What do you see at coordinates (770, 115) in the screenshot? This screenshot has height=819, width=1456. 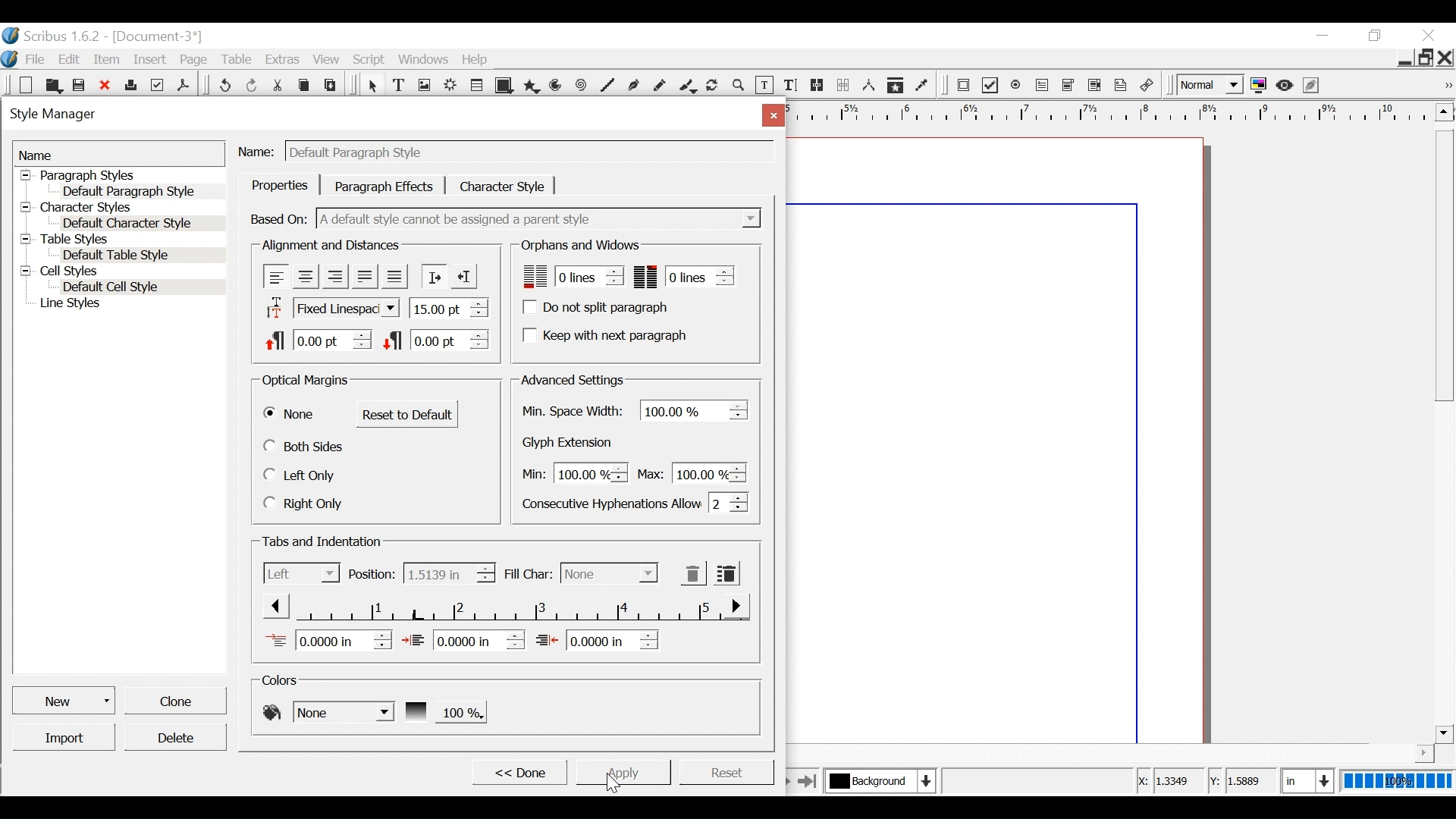 I see `Close` at bounding box center [770, 115].